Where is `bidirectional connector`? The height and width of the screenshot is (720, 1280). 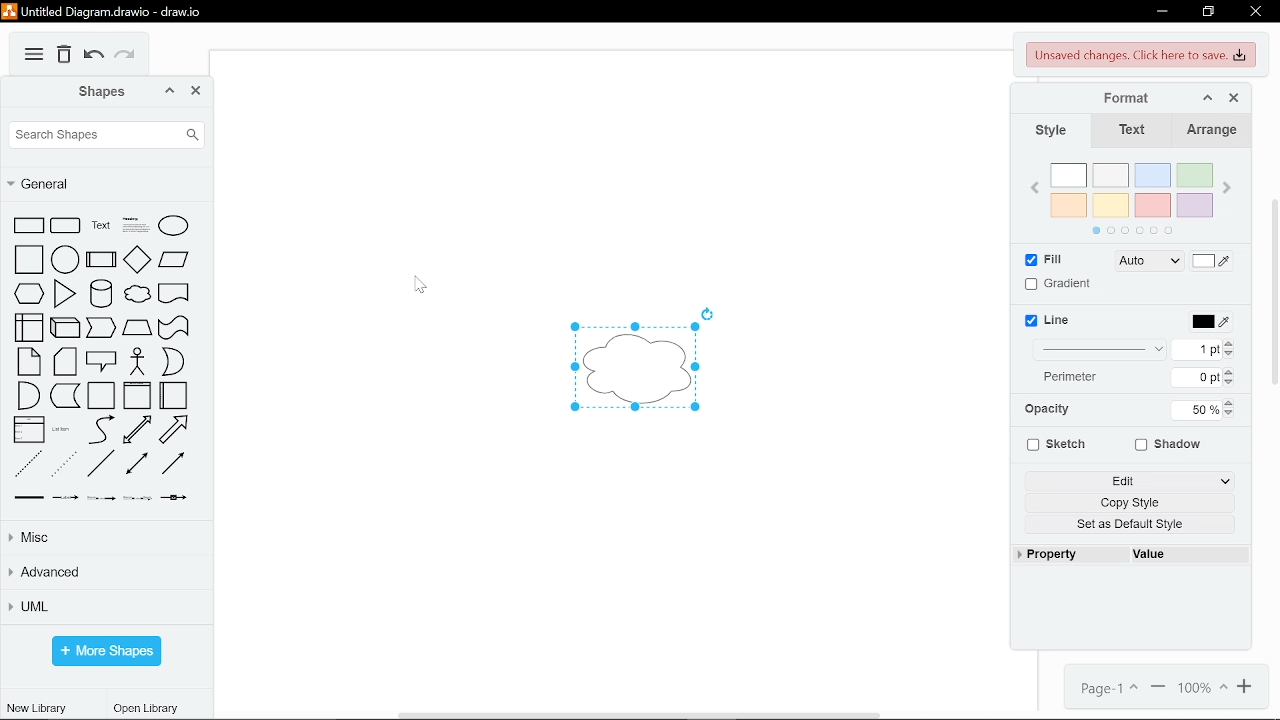 bidirectional connector is located at coordinates (136, 464).